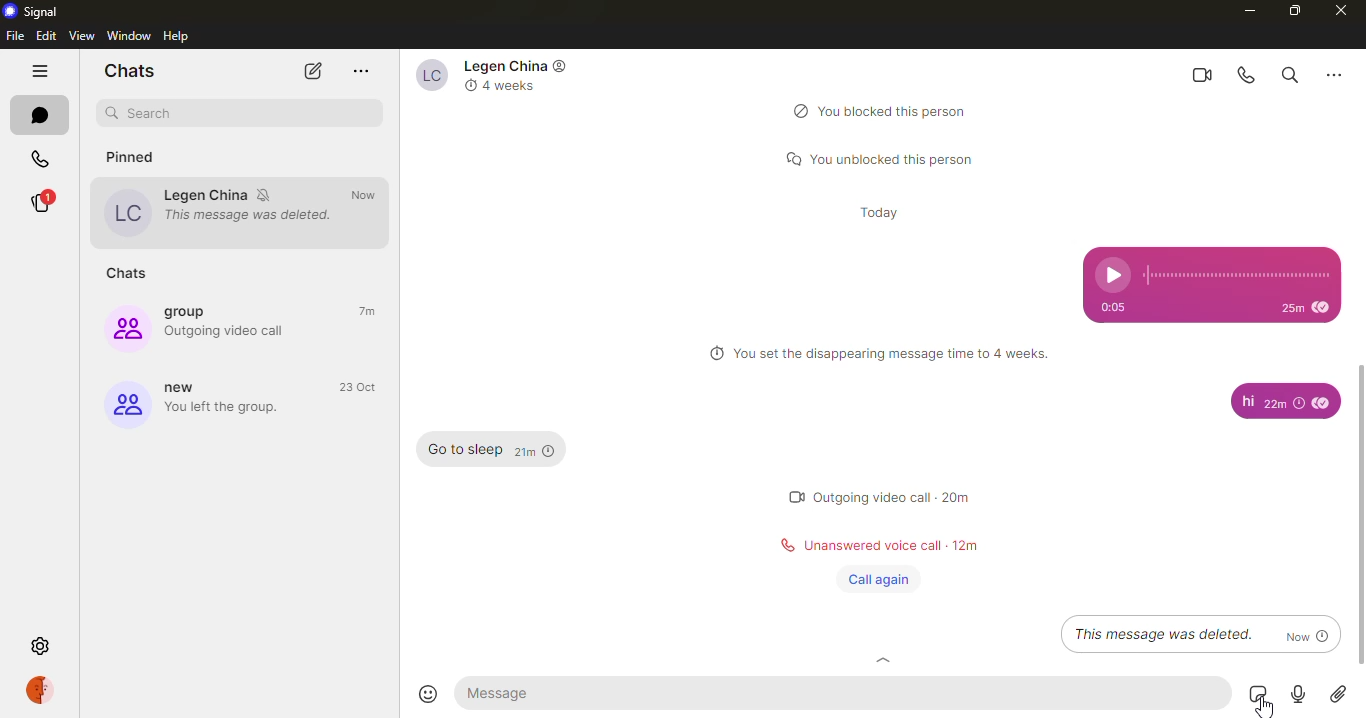  I want to click on mute notifications, so click(267, 195).